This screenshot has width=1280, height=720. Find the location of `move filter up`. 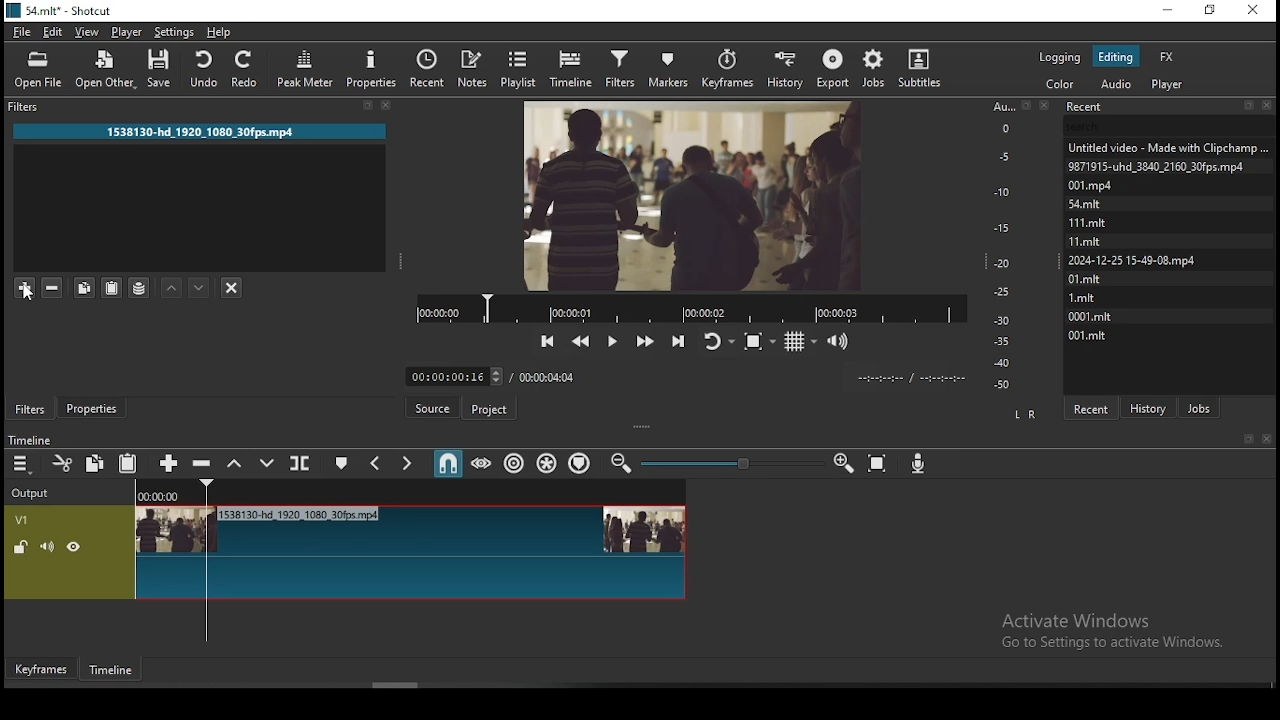

move filter up is located at coordinates (197, 288).